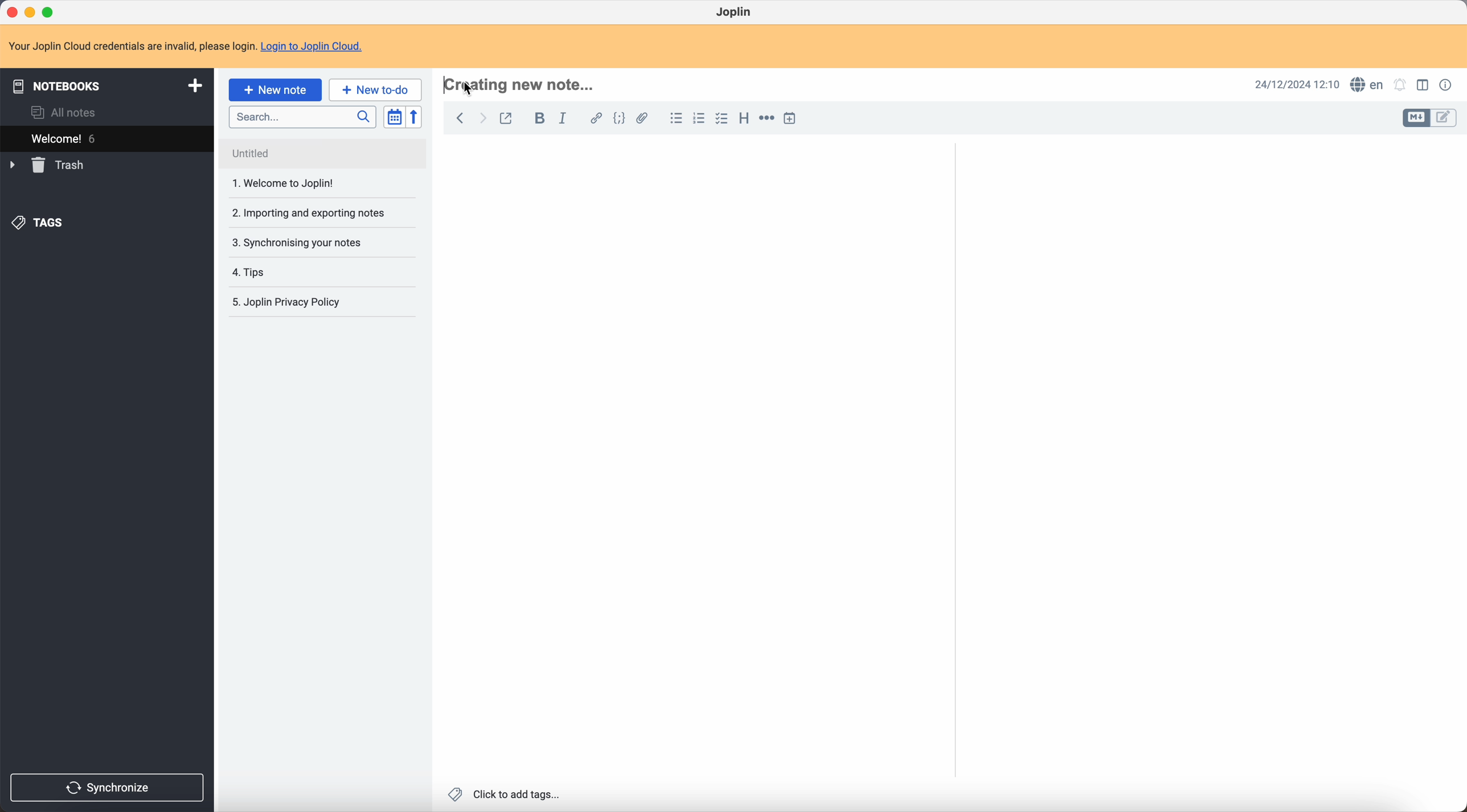  I want to click on close, so click(14, 12).